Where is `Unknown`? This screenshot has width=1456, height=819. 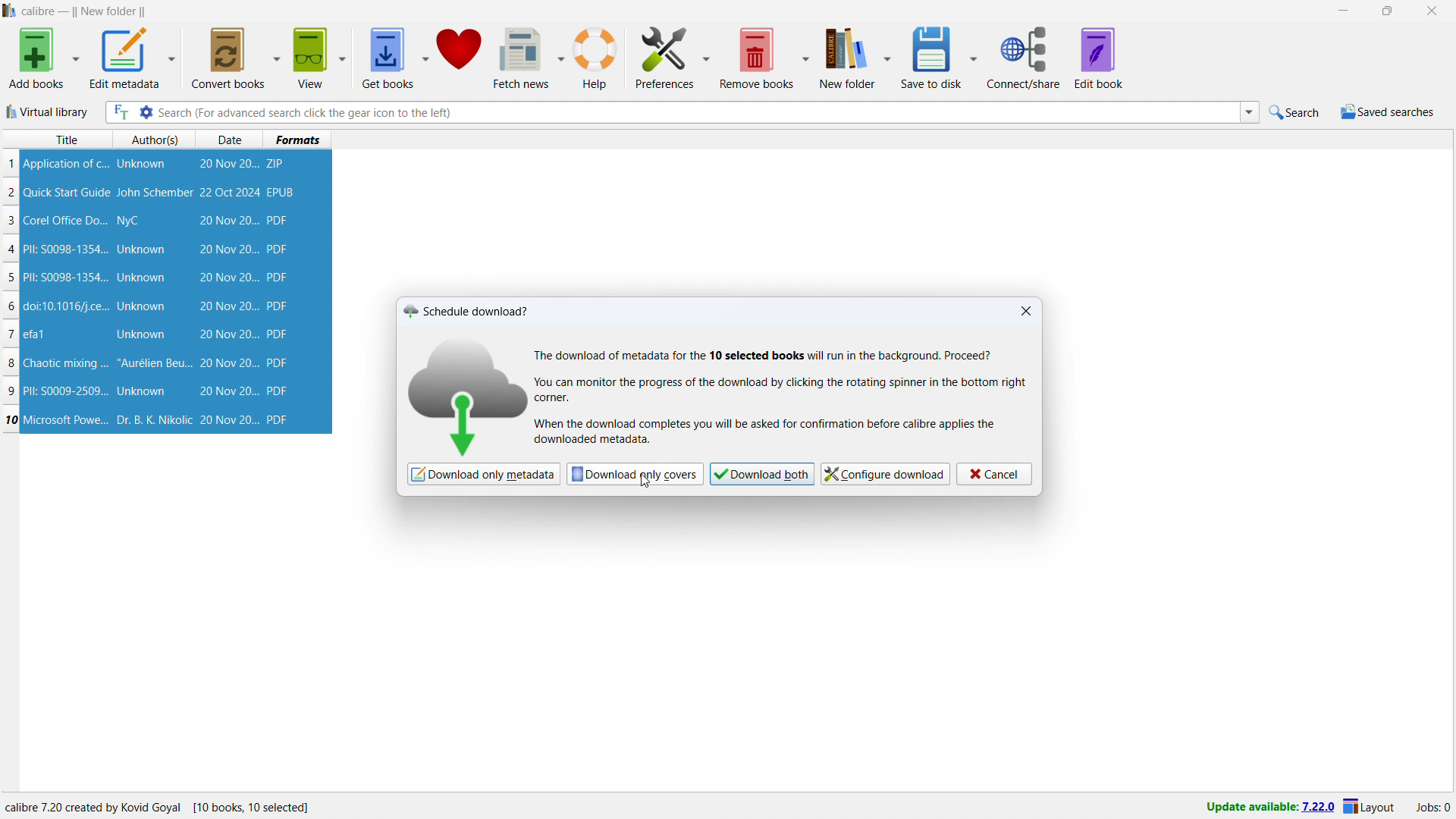 Unknown is located at coordinates (143, 306).